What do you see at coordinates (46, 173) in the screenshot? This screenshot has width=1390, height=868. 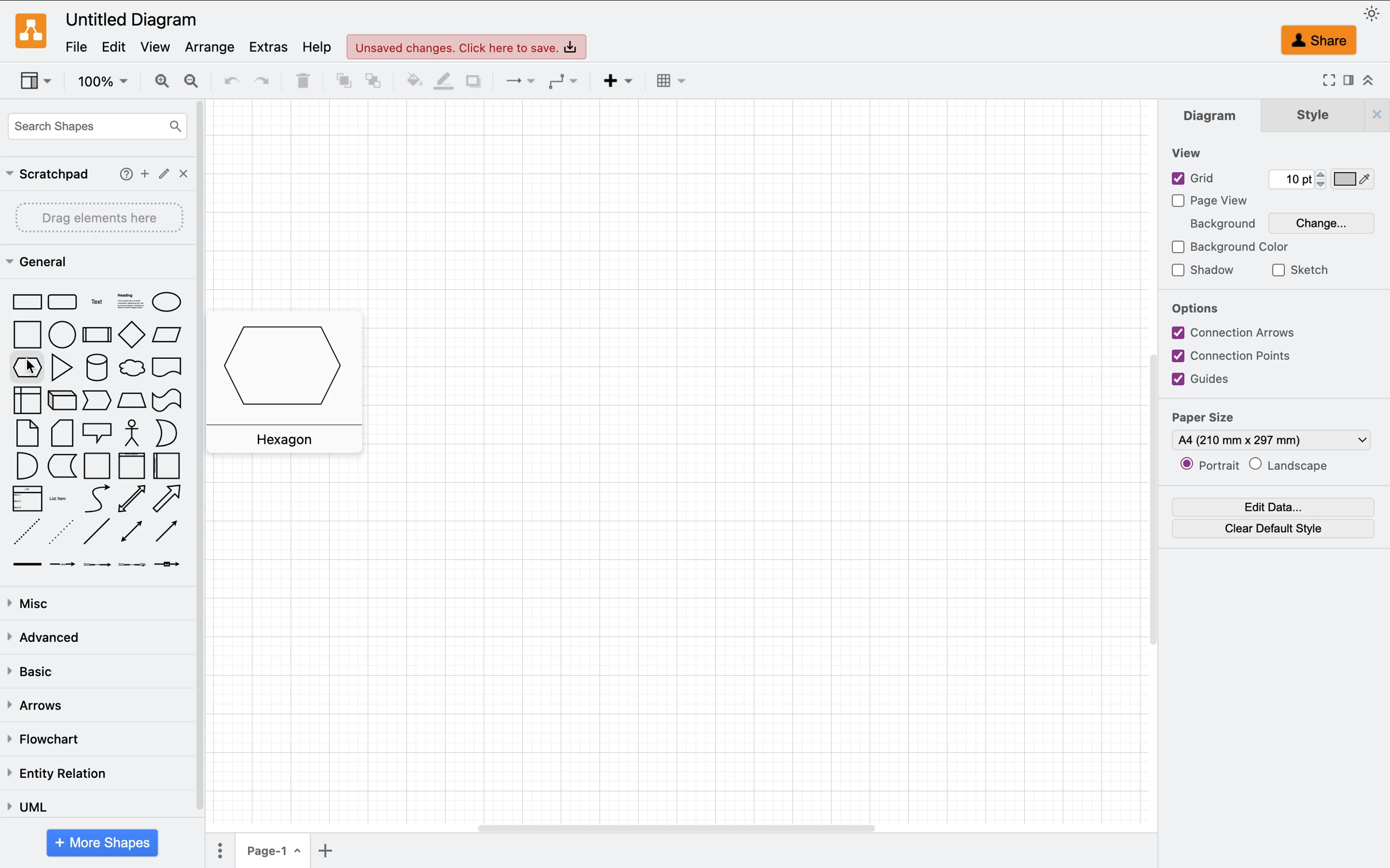 I see `scratchpad` at bounding box center [46, 173].